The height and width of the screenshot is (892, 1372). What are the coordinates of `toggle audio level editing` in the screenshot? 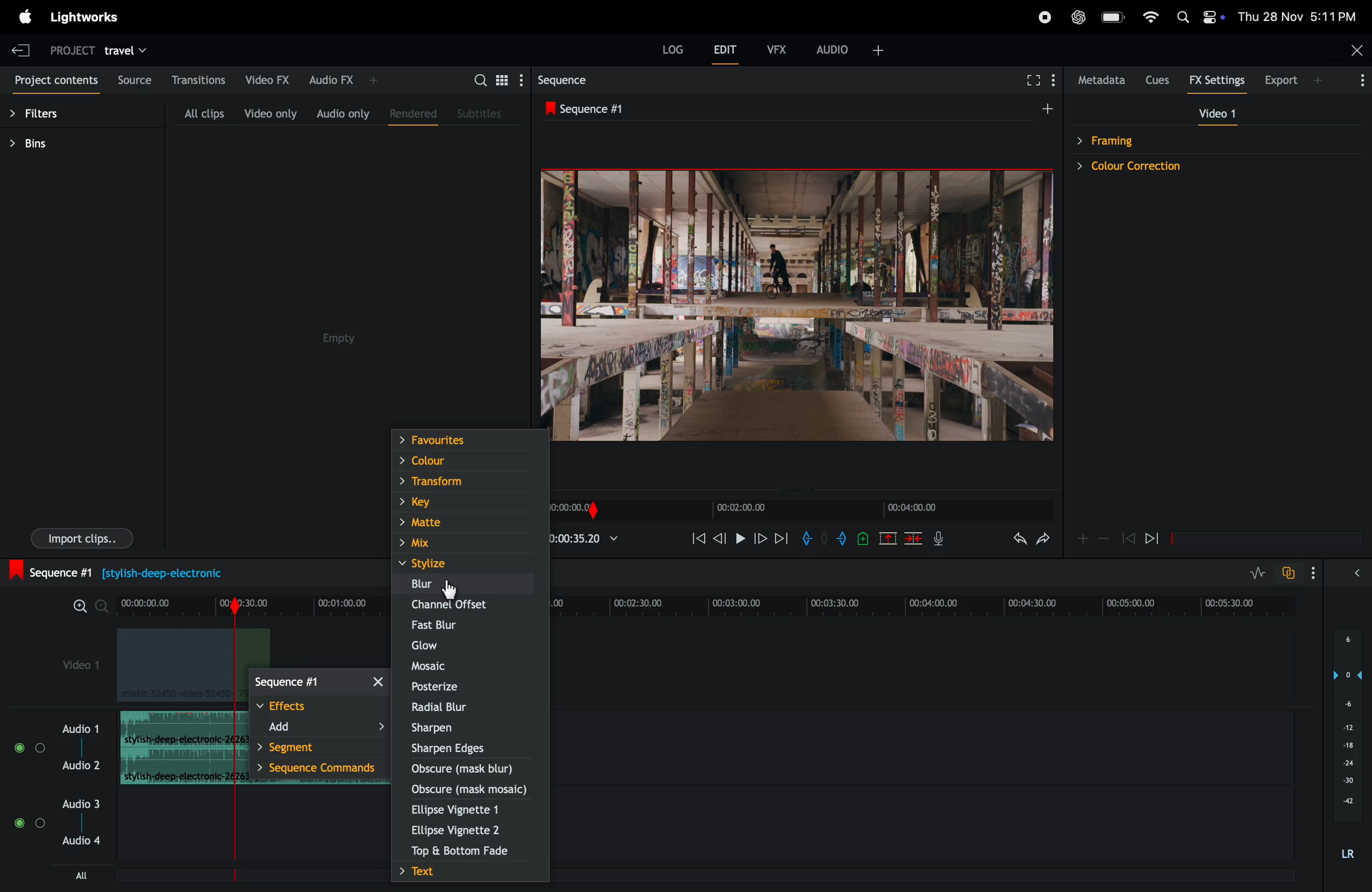 It's located at (1252, 572).